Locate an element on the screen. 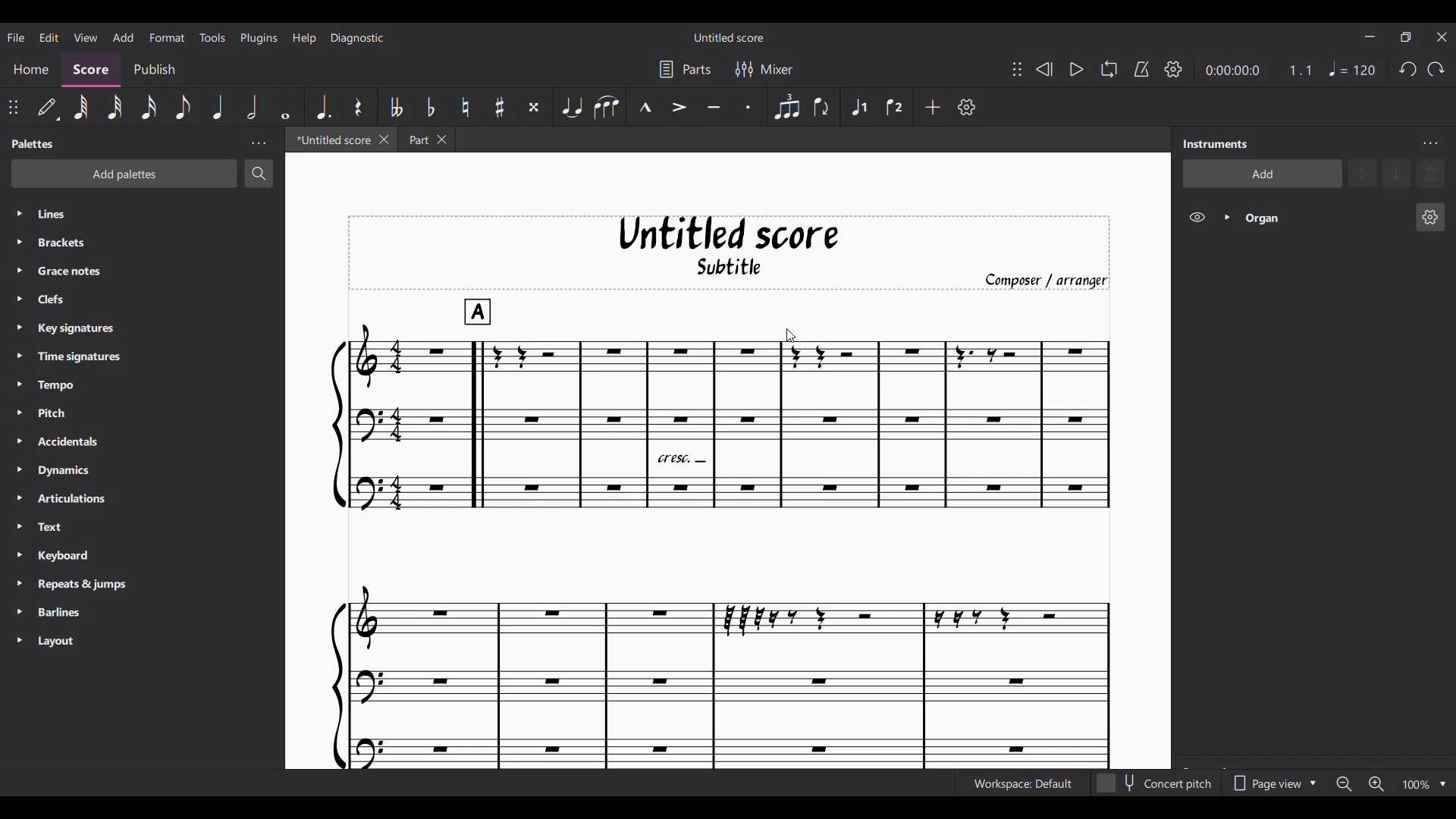  Home section is located at coordinates (31, 68).